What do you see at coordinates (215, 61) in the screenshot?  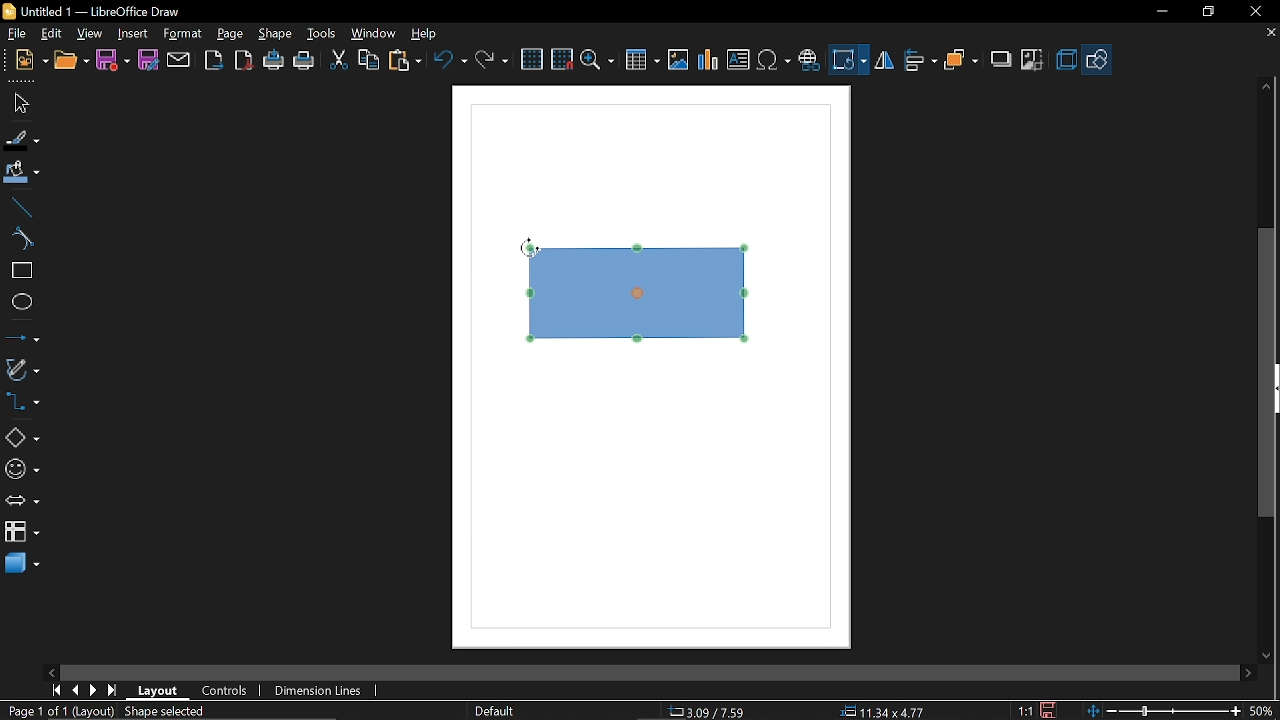 I see `Import` at bounding box center [215, 61].